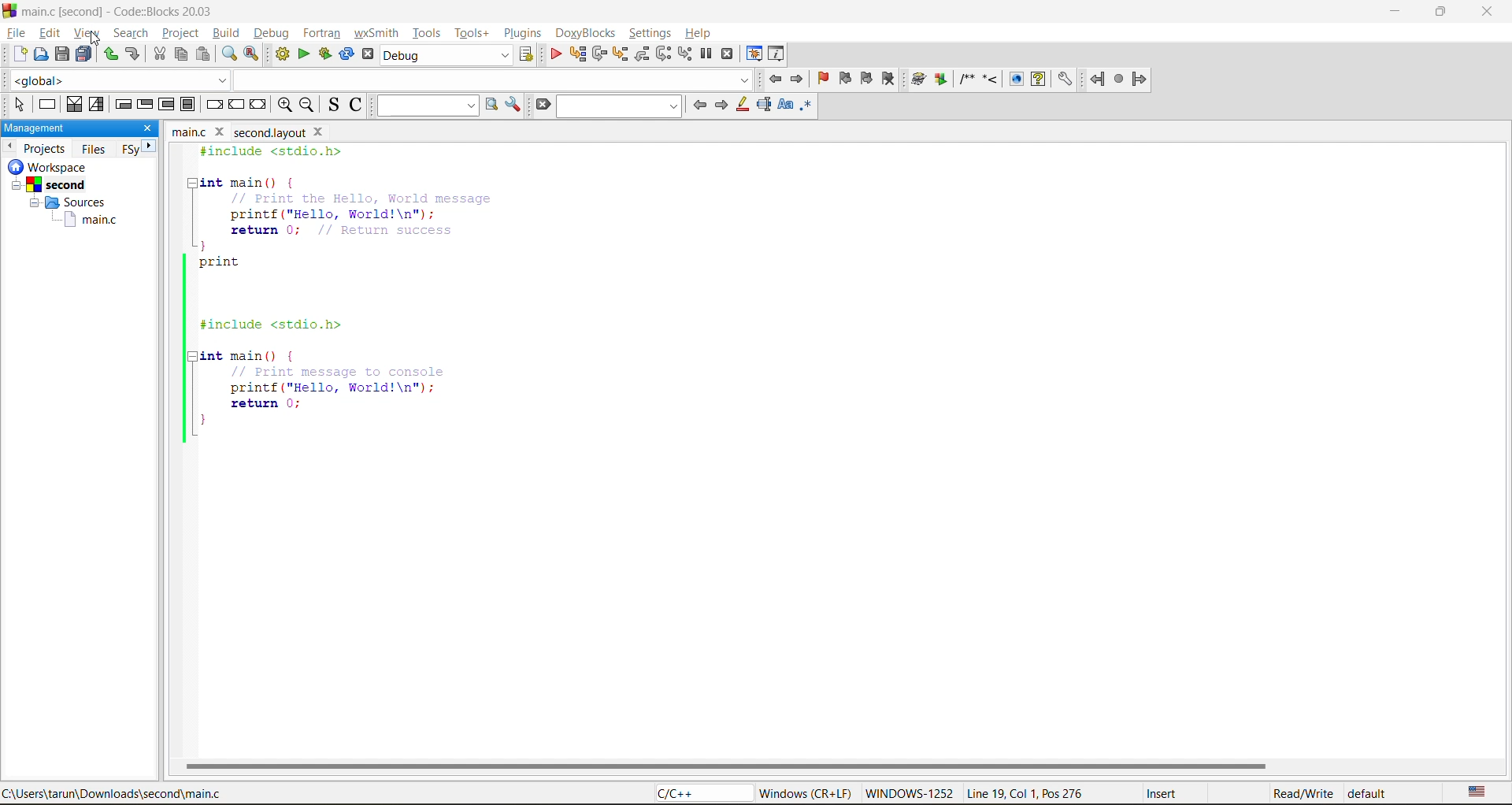 The width and height of the screenshot is (1512, 805). What do you see at coordinates (333, 104) in the screenshot?
I see `toggle source` at bounding box center [333, 104].